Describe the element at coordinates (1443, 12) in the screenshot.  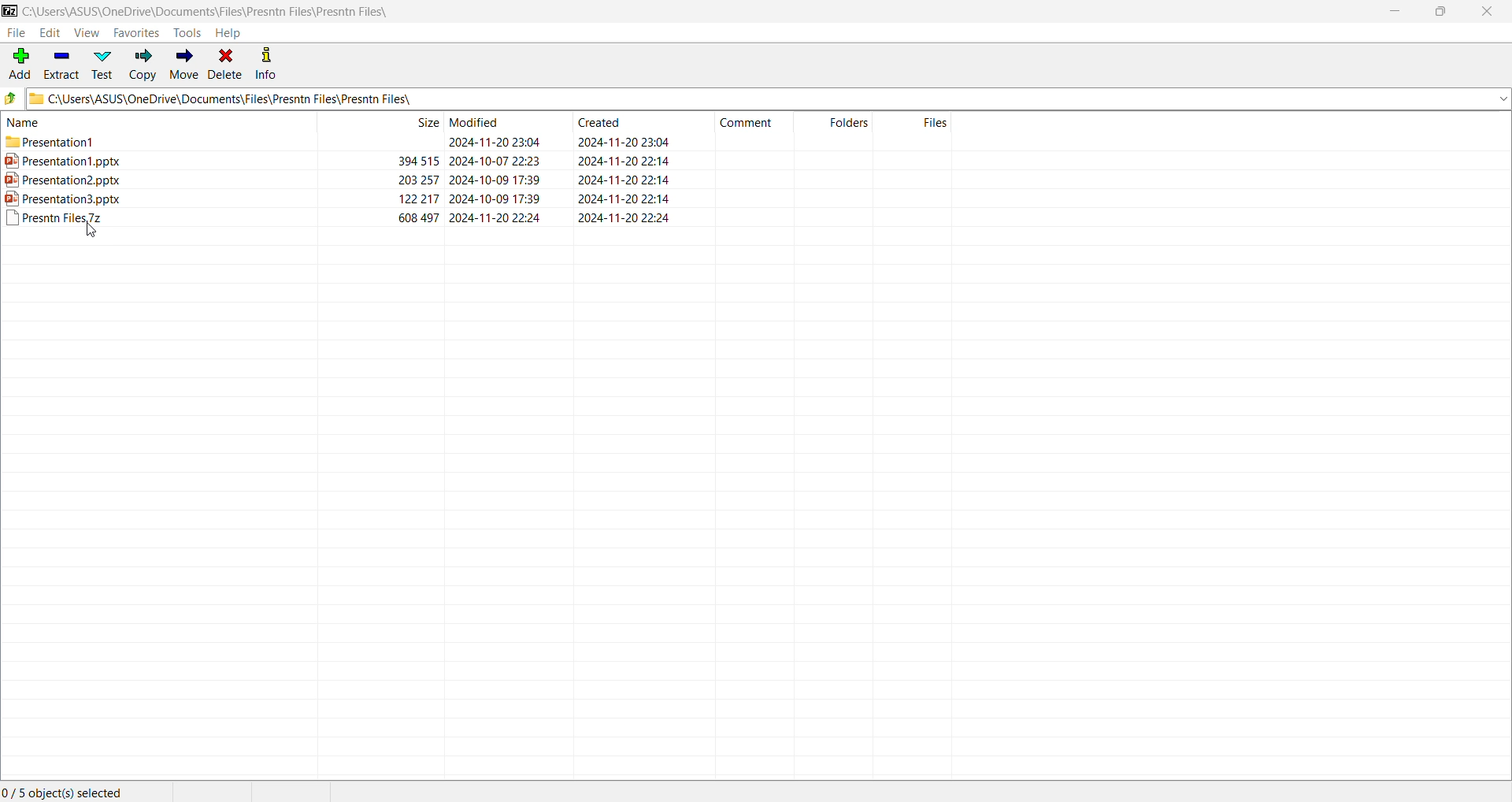
I see `Restore Down` at that location.